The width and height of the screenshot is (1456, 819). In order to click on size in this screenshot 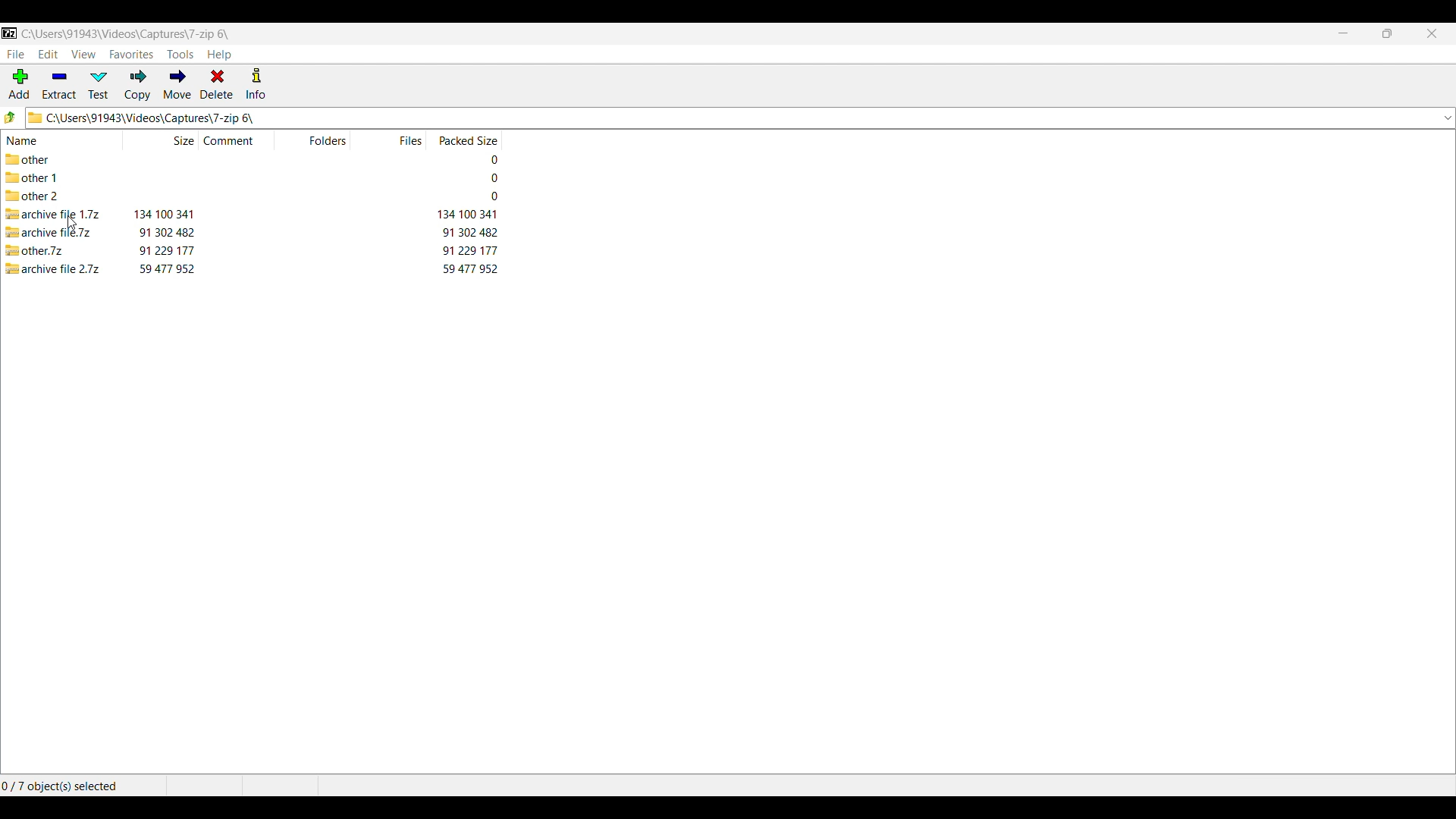, I will do `click(167, 268)`.